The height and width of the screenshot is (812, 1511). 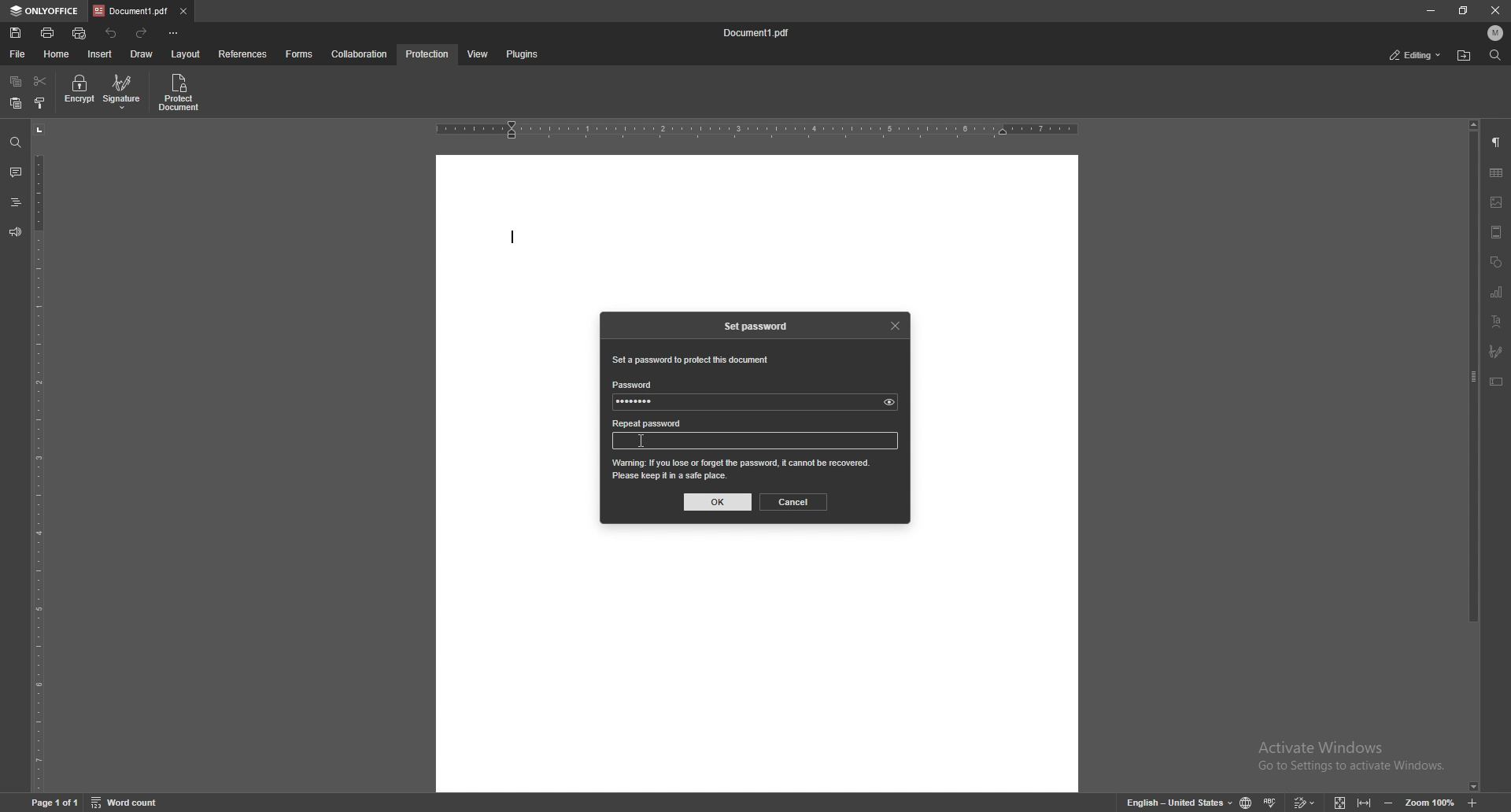 What do you see at coordinates (360, 54) in the screenshot?
I see `collaboration` at bounding box center [360, 54].